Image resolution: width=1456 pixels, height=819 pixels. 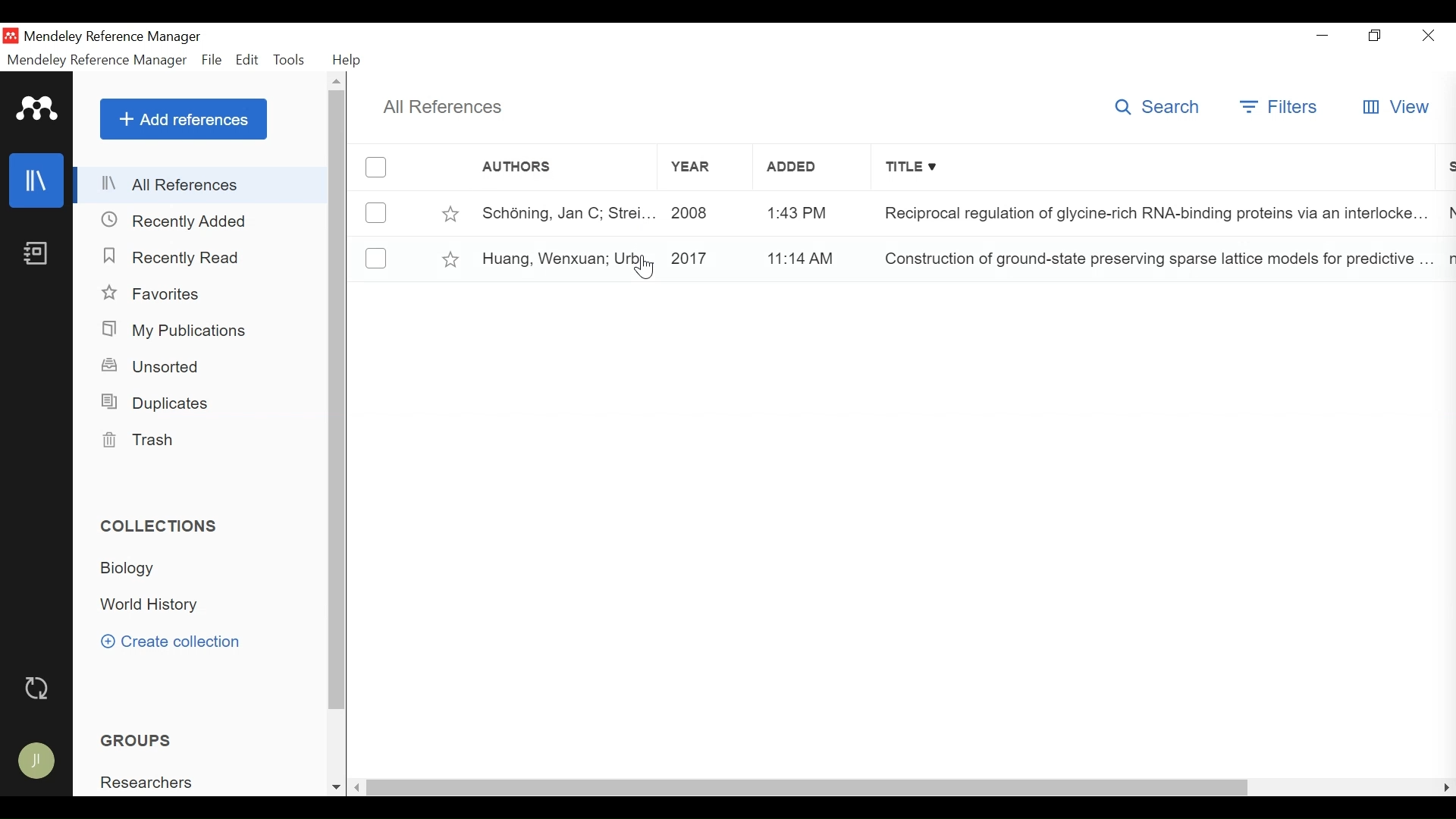 I want to click on Toggle Favorites, so click(x=450, y=259).